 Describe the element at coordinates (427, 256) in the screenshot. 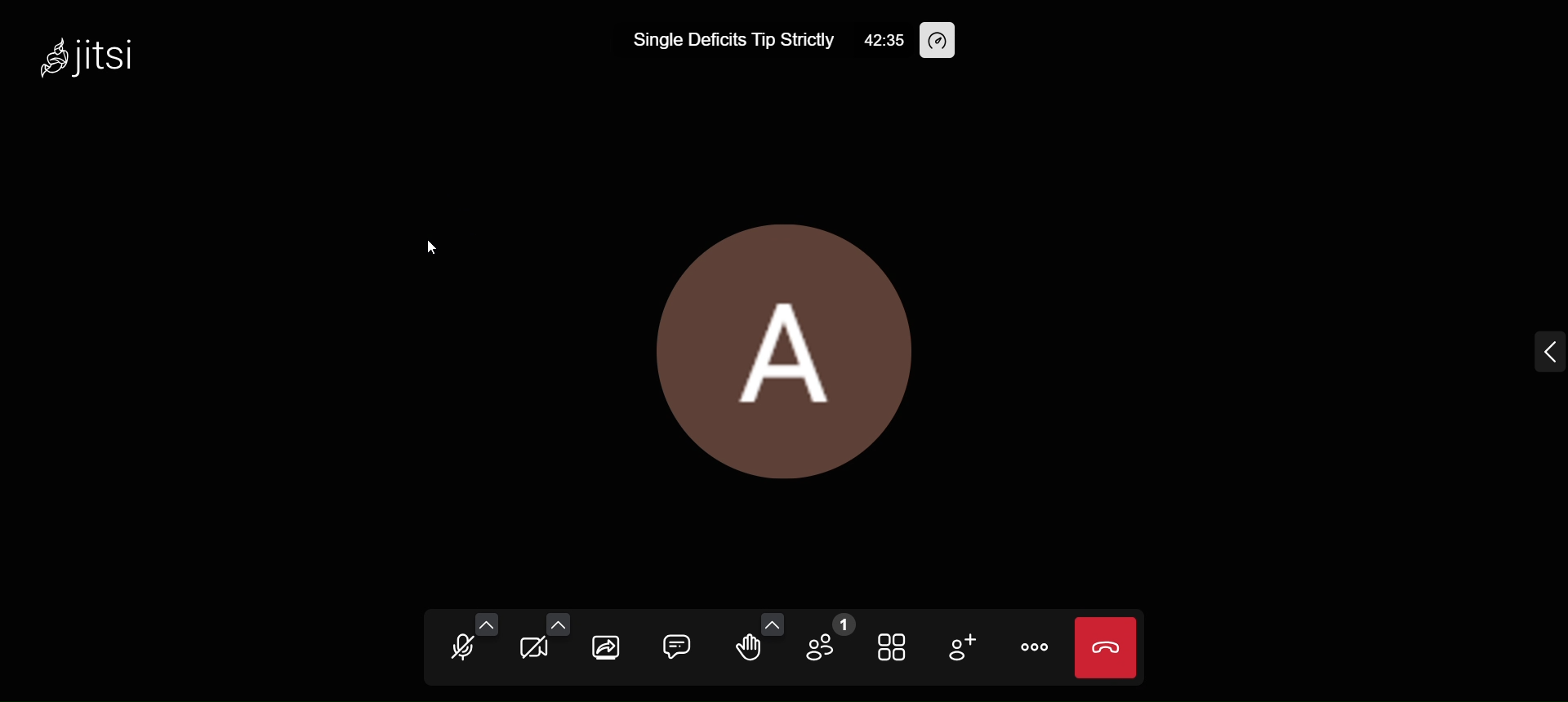

I see `cursor` at that location.